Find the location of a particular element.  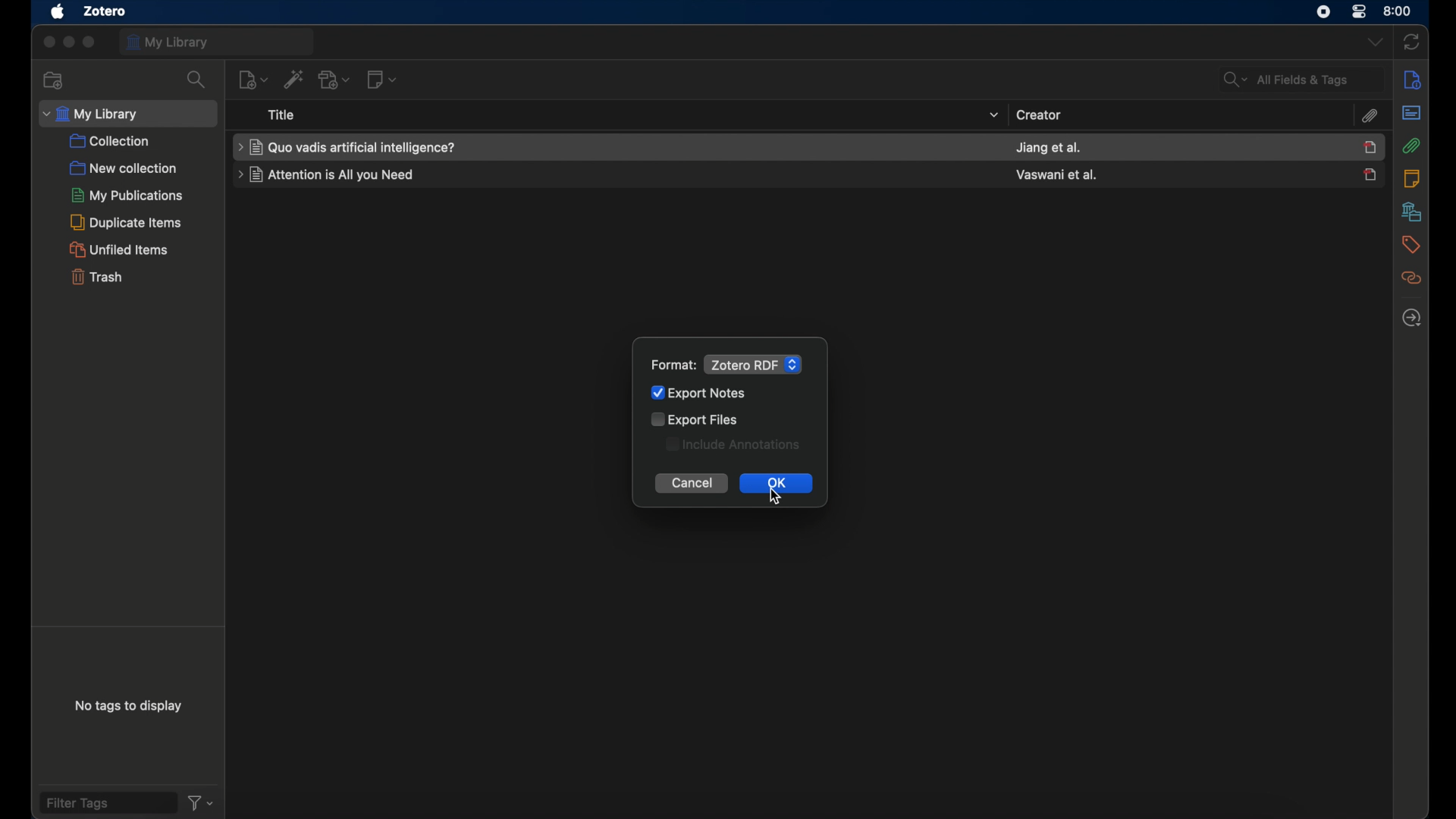

add attachment is located at coordinates (336, 80).